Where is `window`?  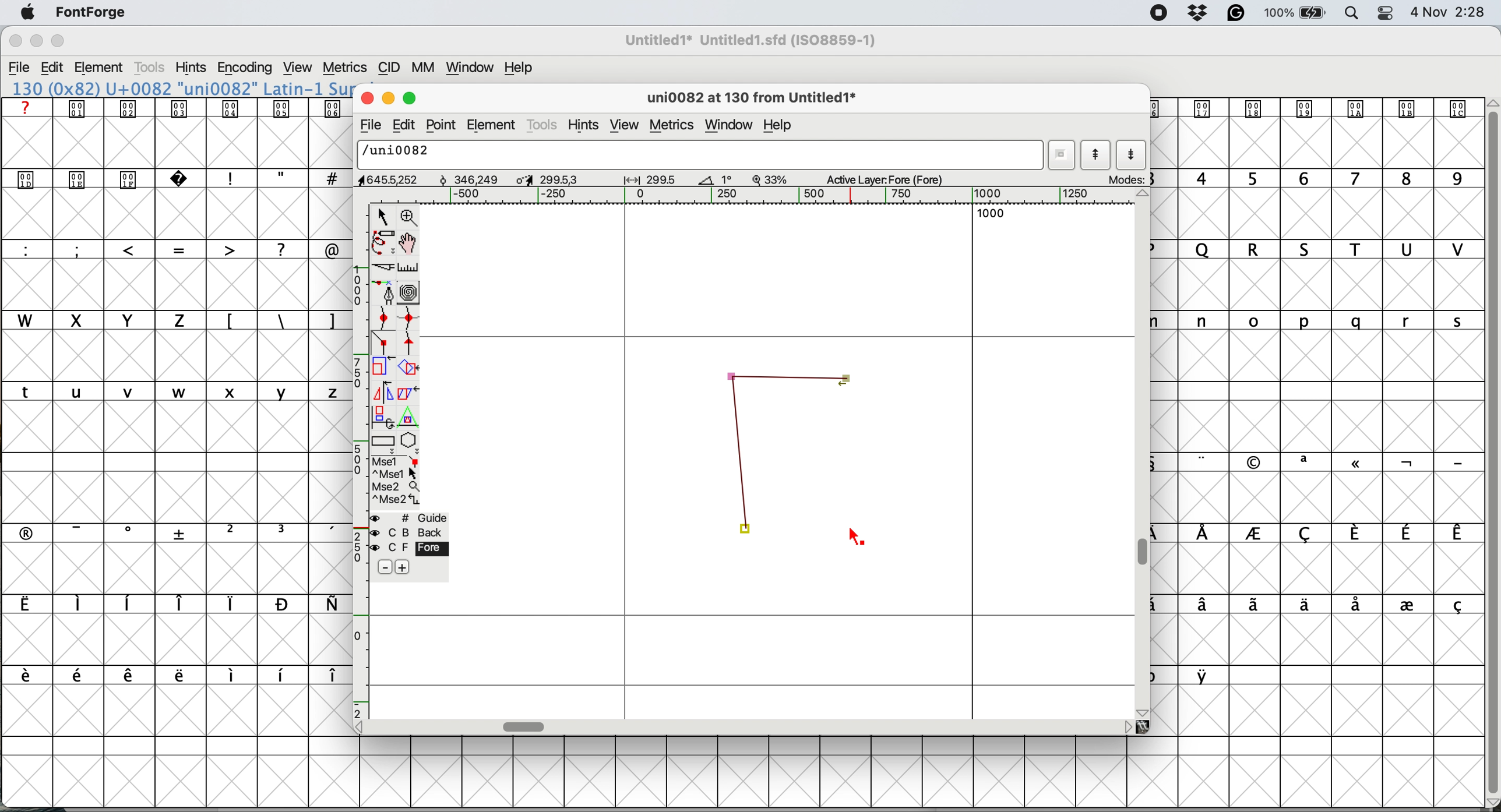 window is located at coordinates (732, 125).